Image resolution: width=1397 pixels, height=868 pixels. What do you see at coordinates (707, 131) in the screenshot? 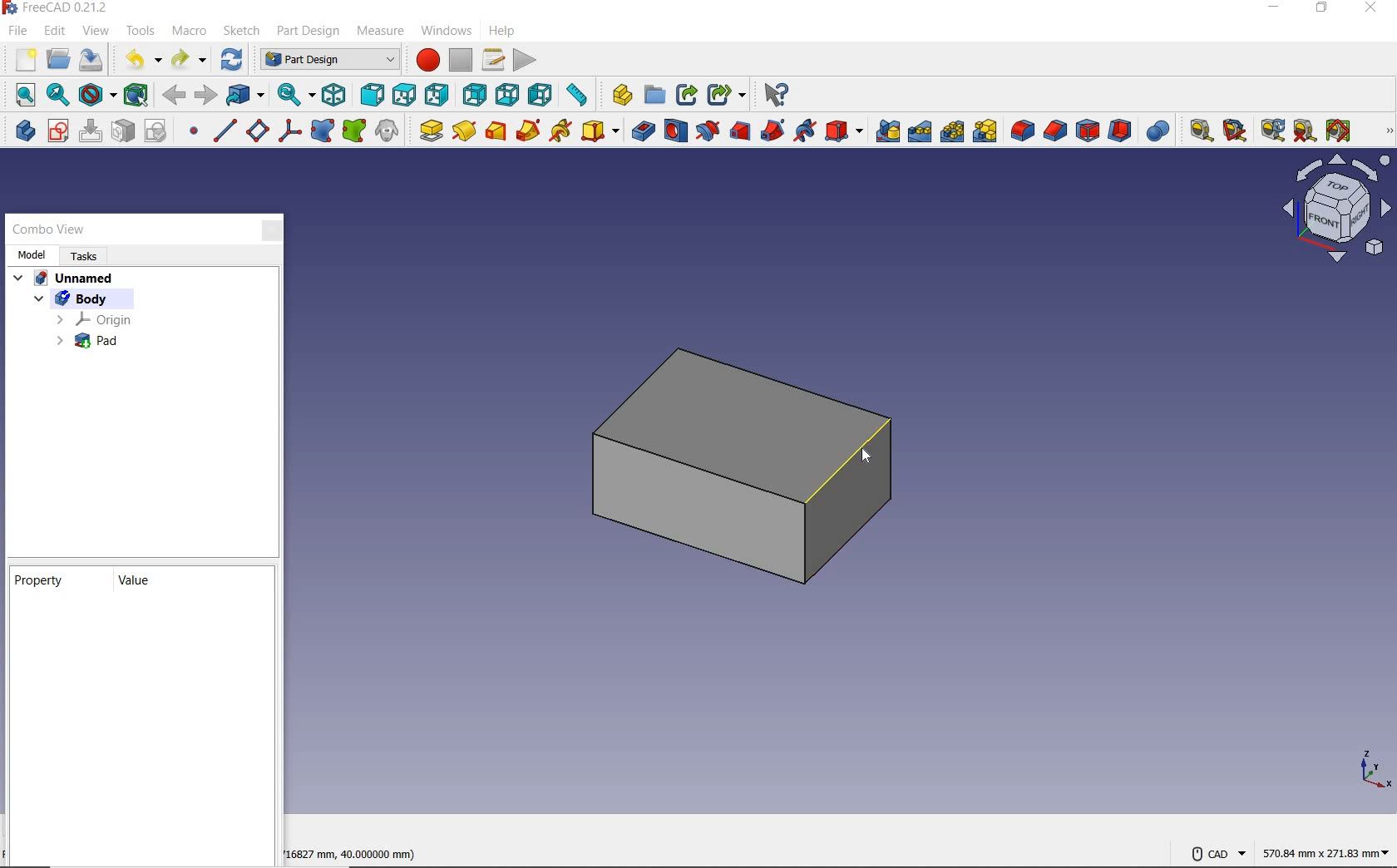
I see `groove` at bounding box center [707, 131].